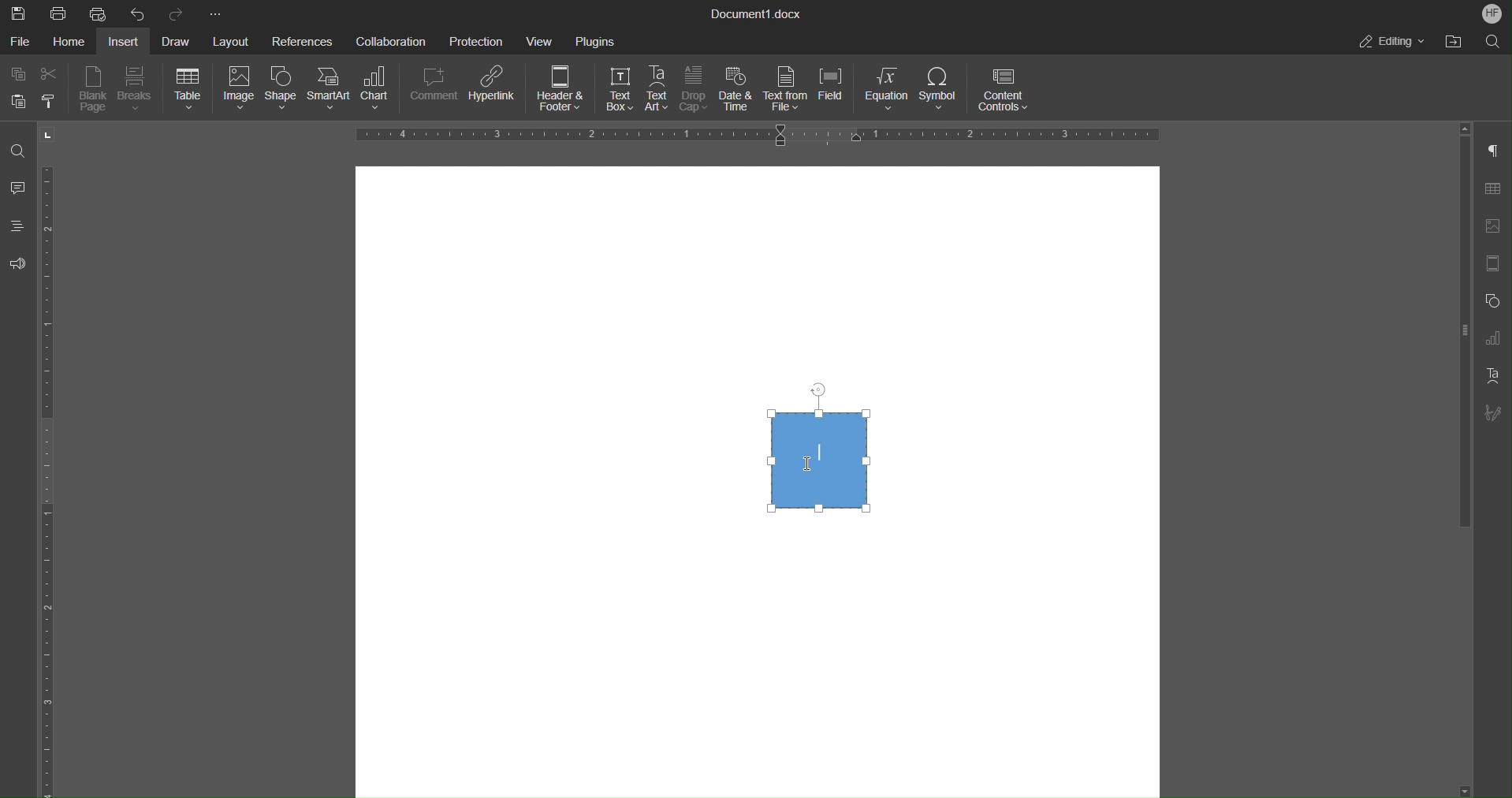 This screenshot has height=798, width=1512. Describe the element at coordinates (797, 468) in the screenshot. I see `cursor` at that location.